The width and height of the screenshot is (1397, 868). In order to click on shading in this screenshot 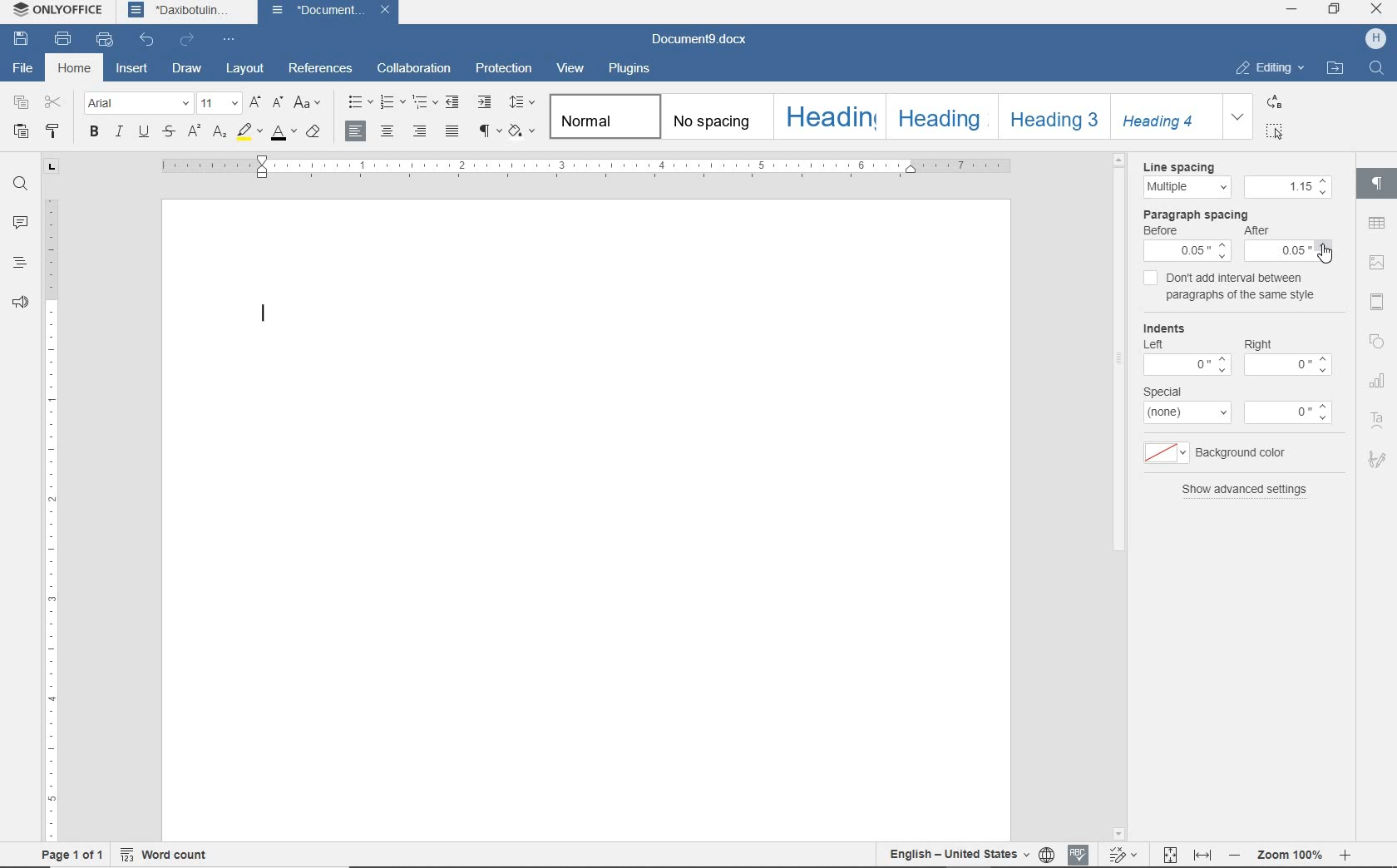, I will do `click(523, 133)`.